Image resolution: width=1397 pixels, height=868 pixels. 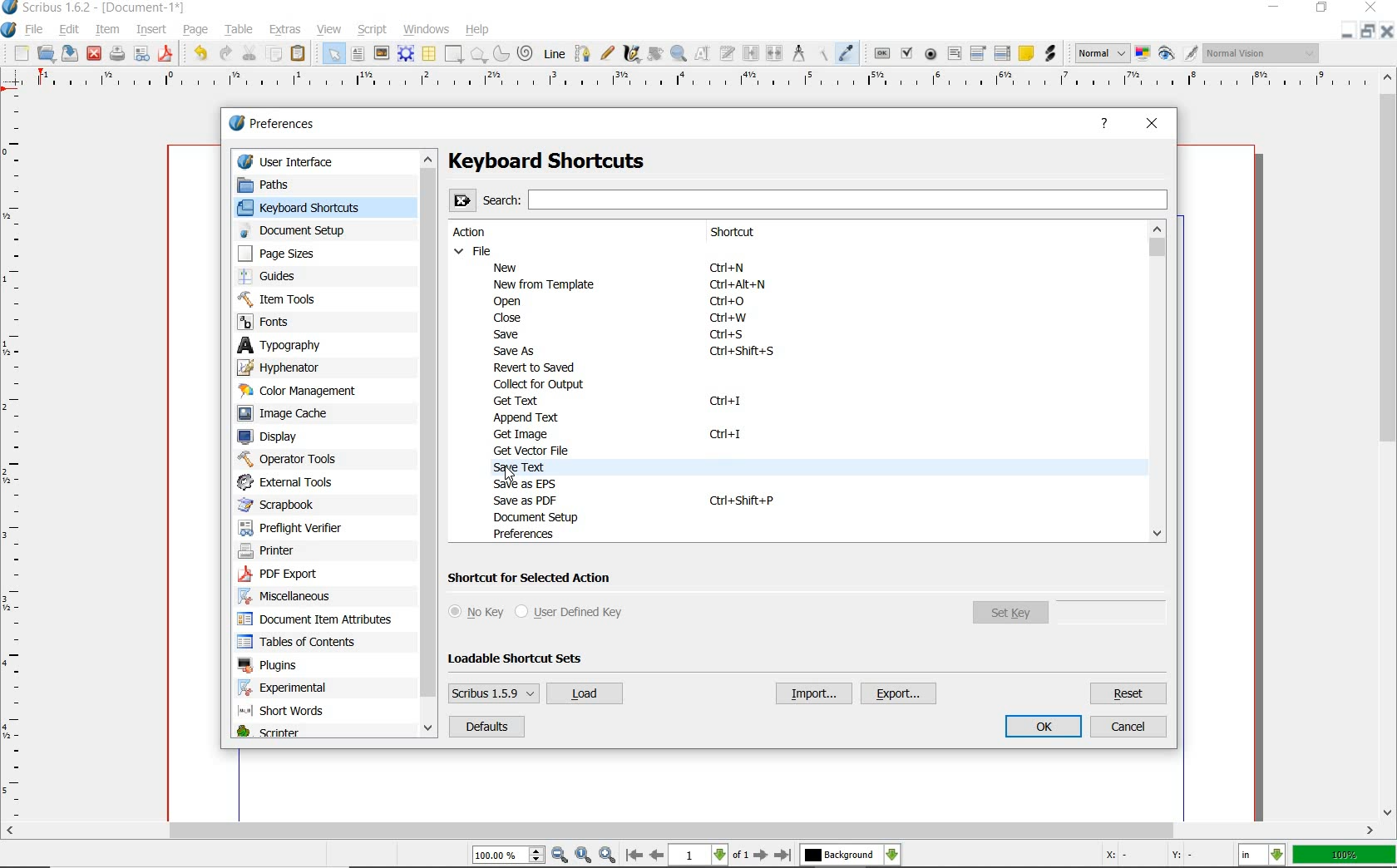 I want to click on set key, so click(x=1002, y=616).